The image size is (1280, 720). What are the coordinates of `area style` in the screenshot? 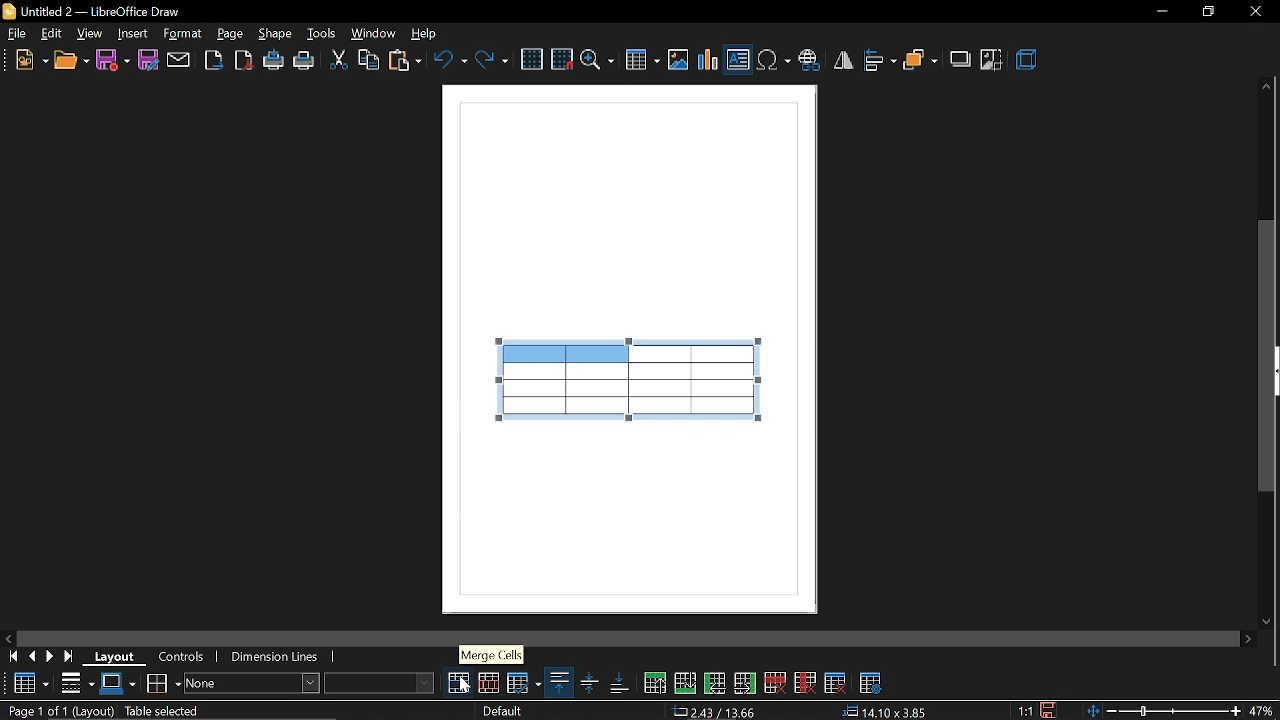 It's located at (253, 685).